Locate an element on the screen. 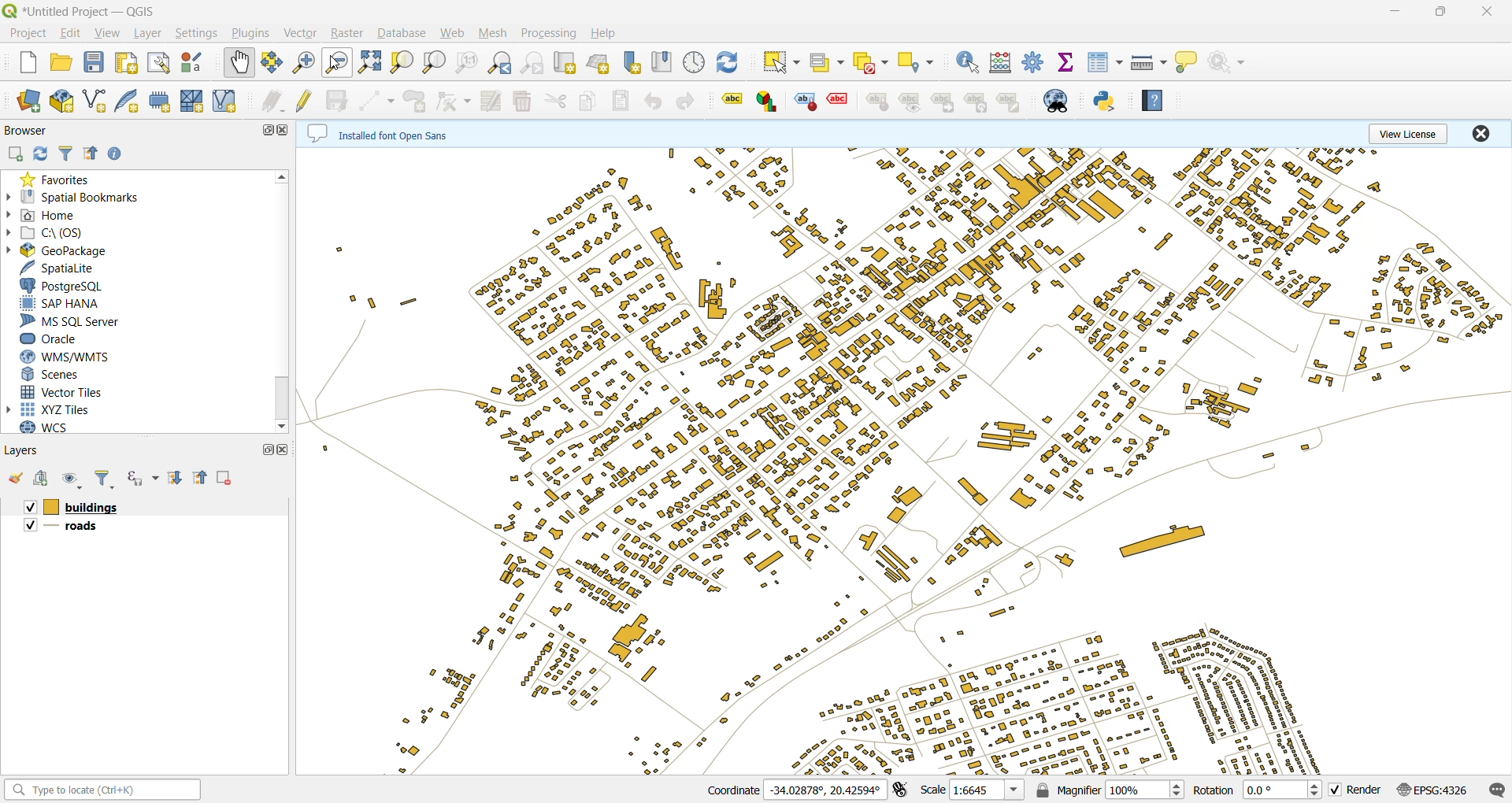 Image resolution: width=1512 pixels, height=803 pixels. copy is located at coordinates (587, 102).